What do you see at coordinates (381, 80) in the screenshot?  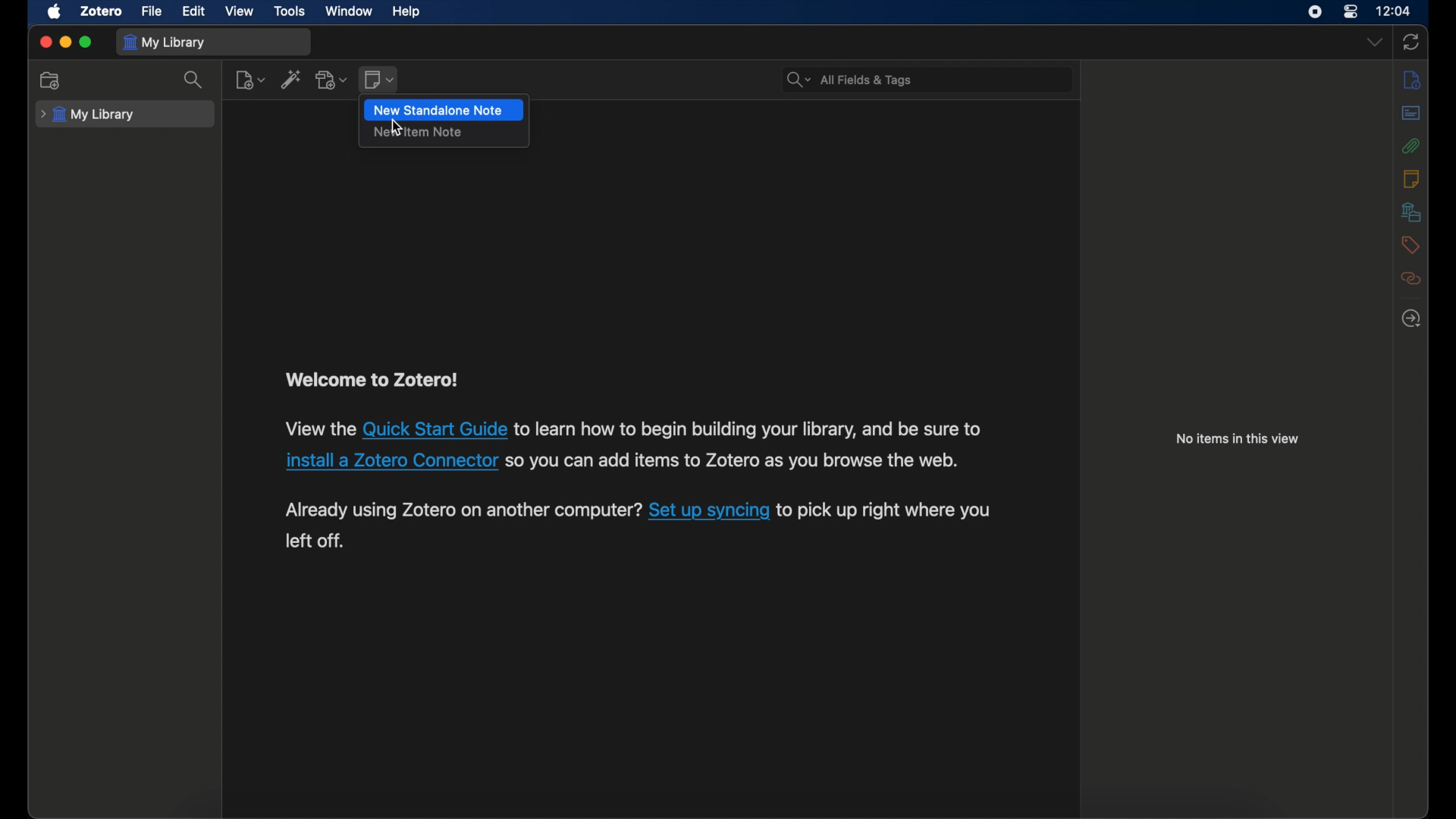 I see `add notes` at bounding box center [381, 80].